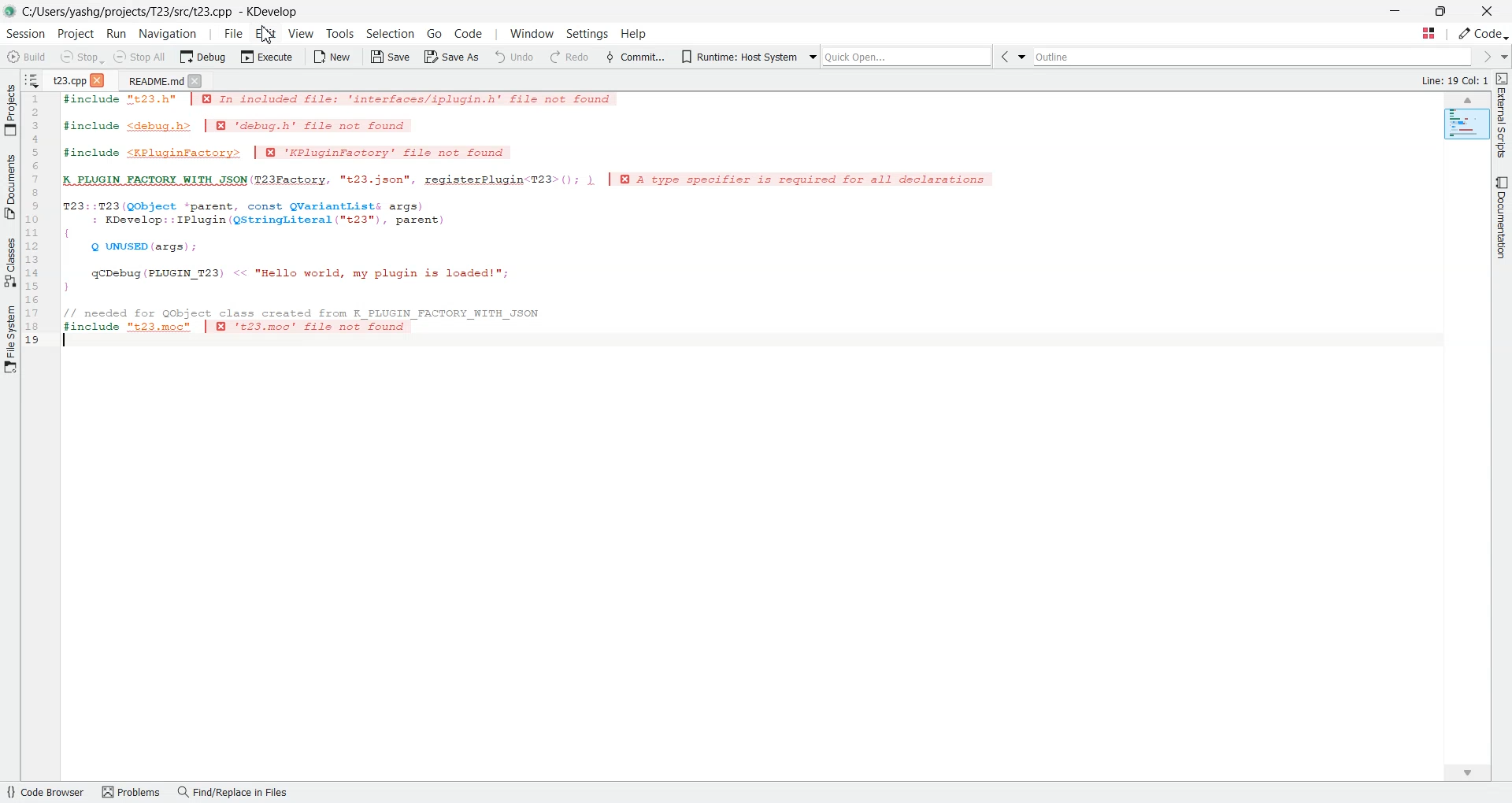 Image resolution: width=1512 pixels, height=803 pixels. What do you see at coordinates (100, 79) in the screenshot?
I see `Close` at bounding box center [100, 79].